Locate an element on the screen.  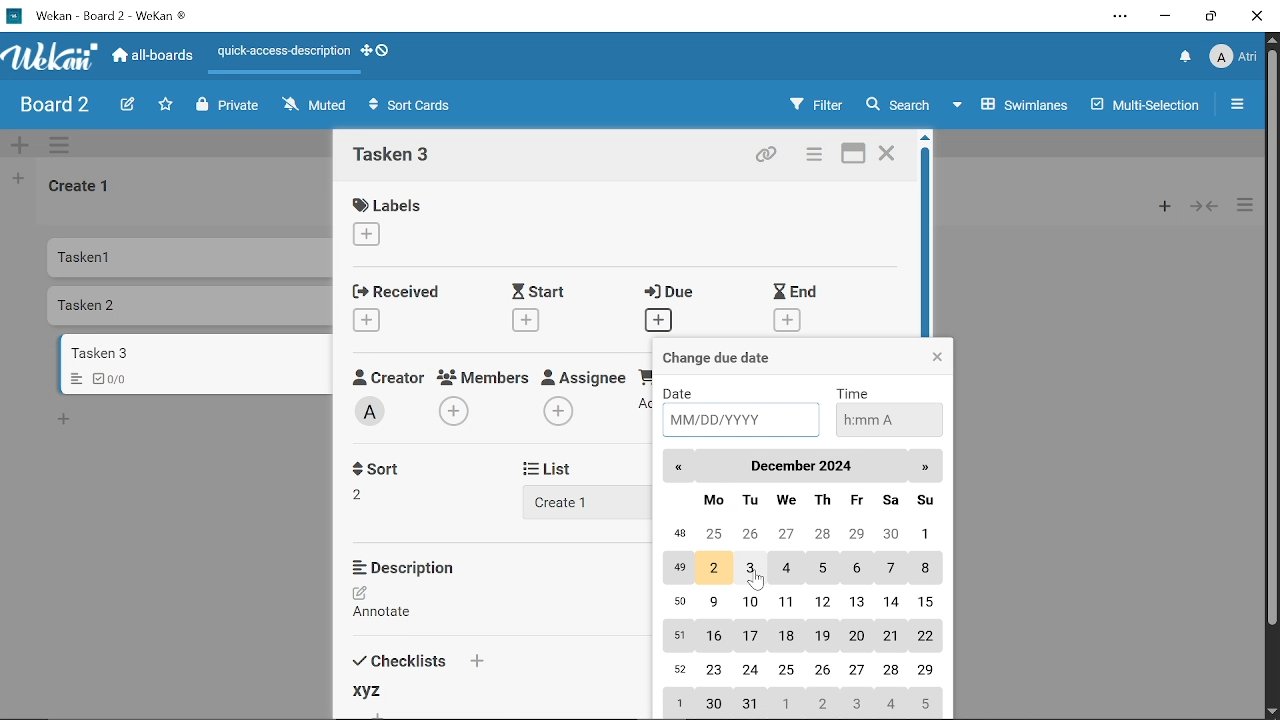
Private is located at coordinates (228, 105).